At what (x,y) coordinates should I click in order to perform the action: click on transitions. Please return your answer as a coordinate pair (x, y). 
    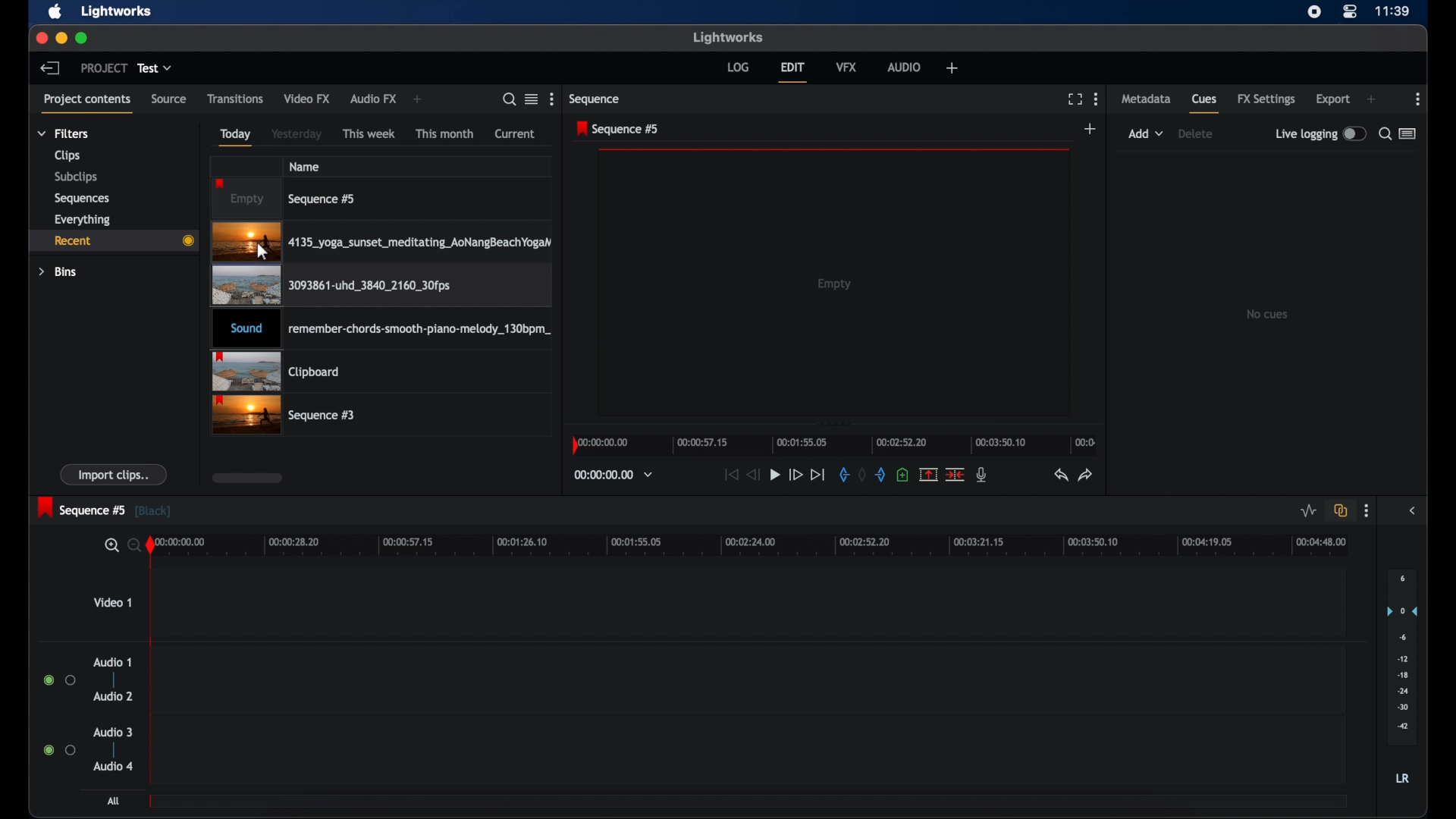
    Looking at the image, I should click on (235, 98).